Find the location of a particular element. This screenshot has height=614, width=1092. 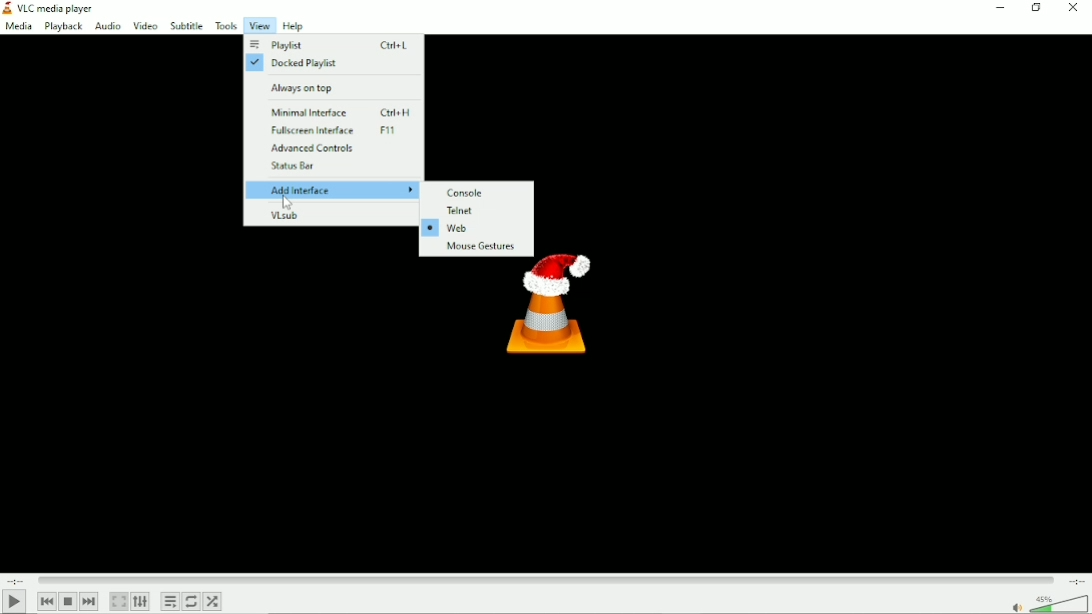

Total duration is located at coordinates (1076, 582).